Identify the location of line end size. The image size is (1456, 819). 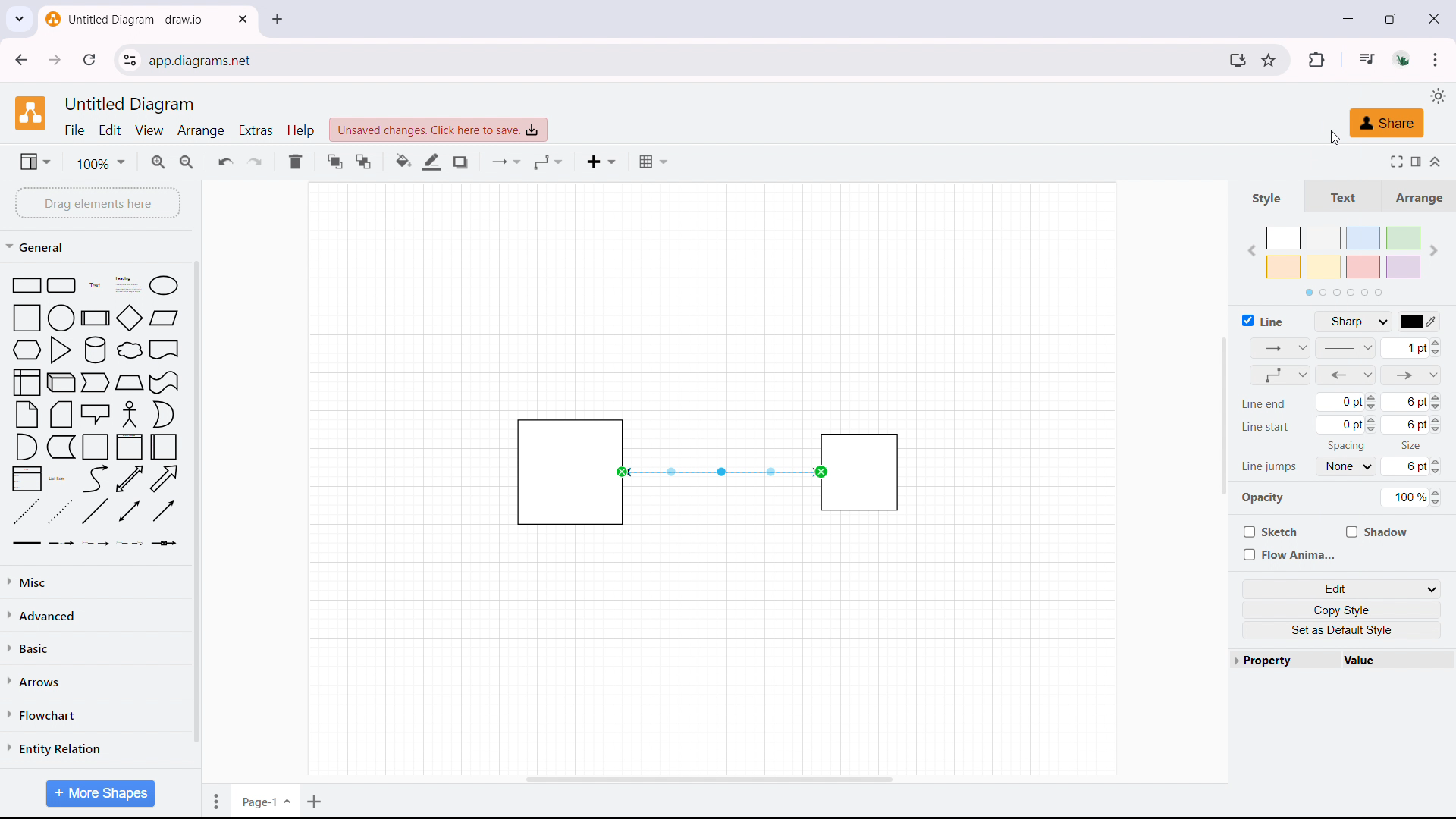
(1381, 403).